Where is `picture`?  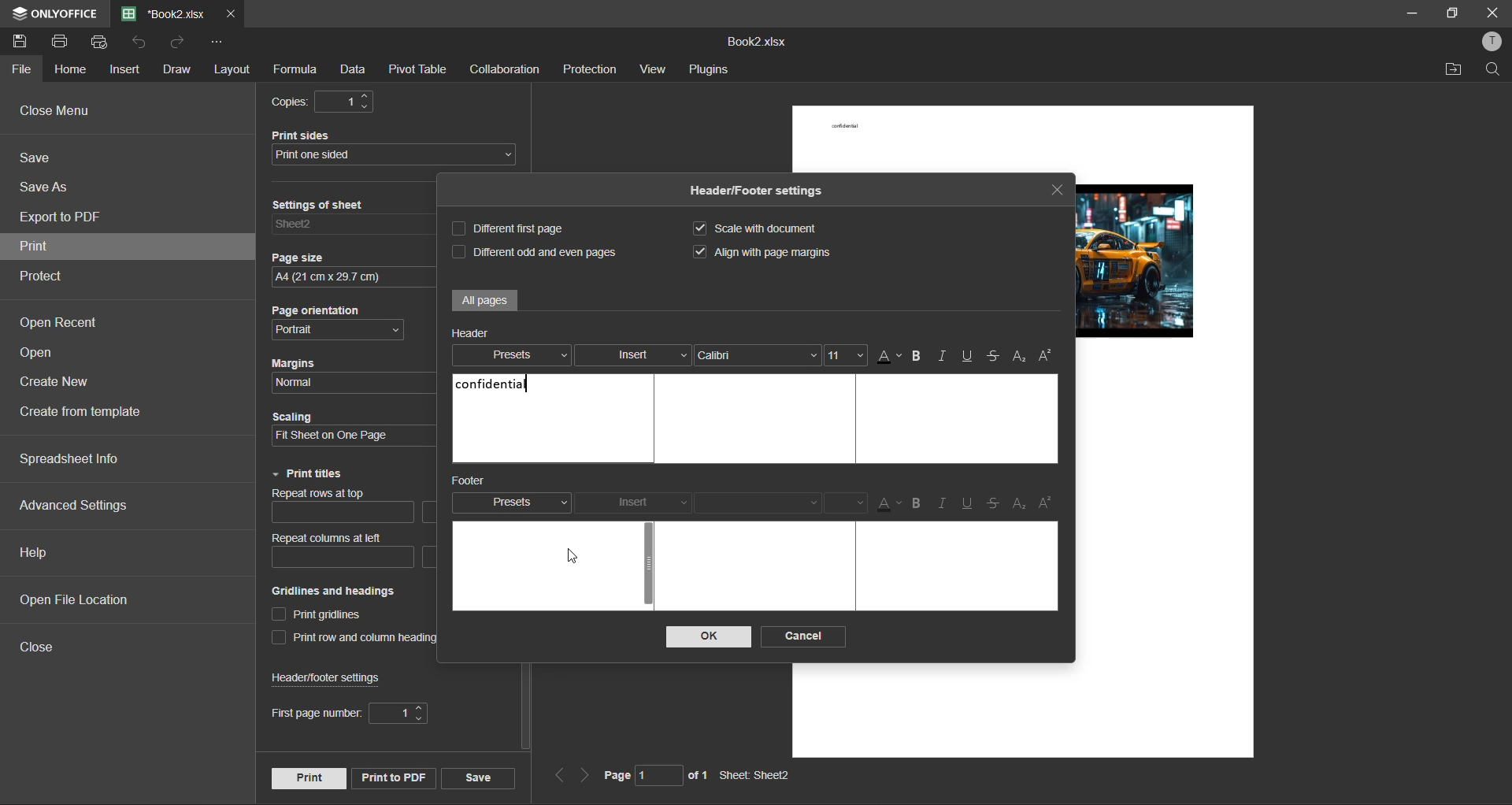
picture is located at coordinates (1136, 262).